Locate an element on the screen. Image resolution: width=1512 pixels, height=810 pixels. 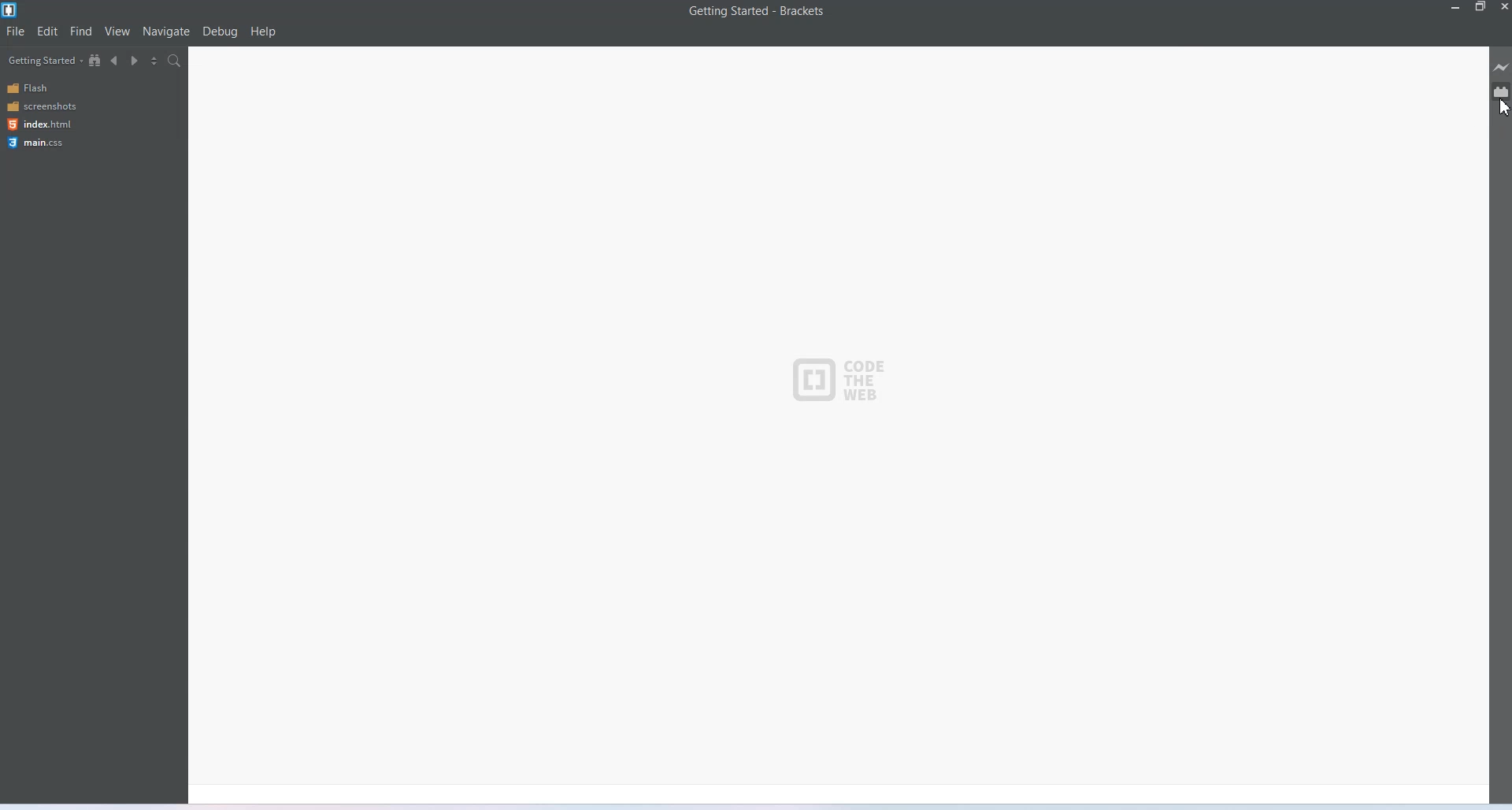
screenshots is located at coordinates (41, 106).